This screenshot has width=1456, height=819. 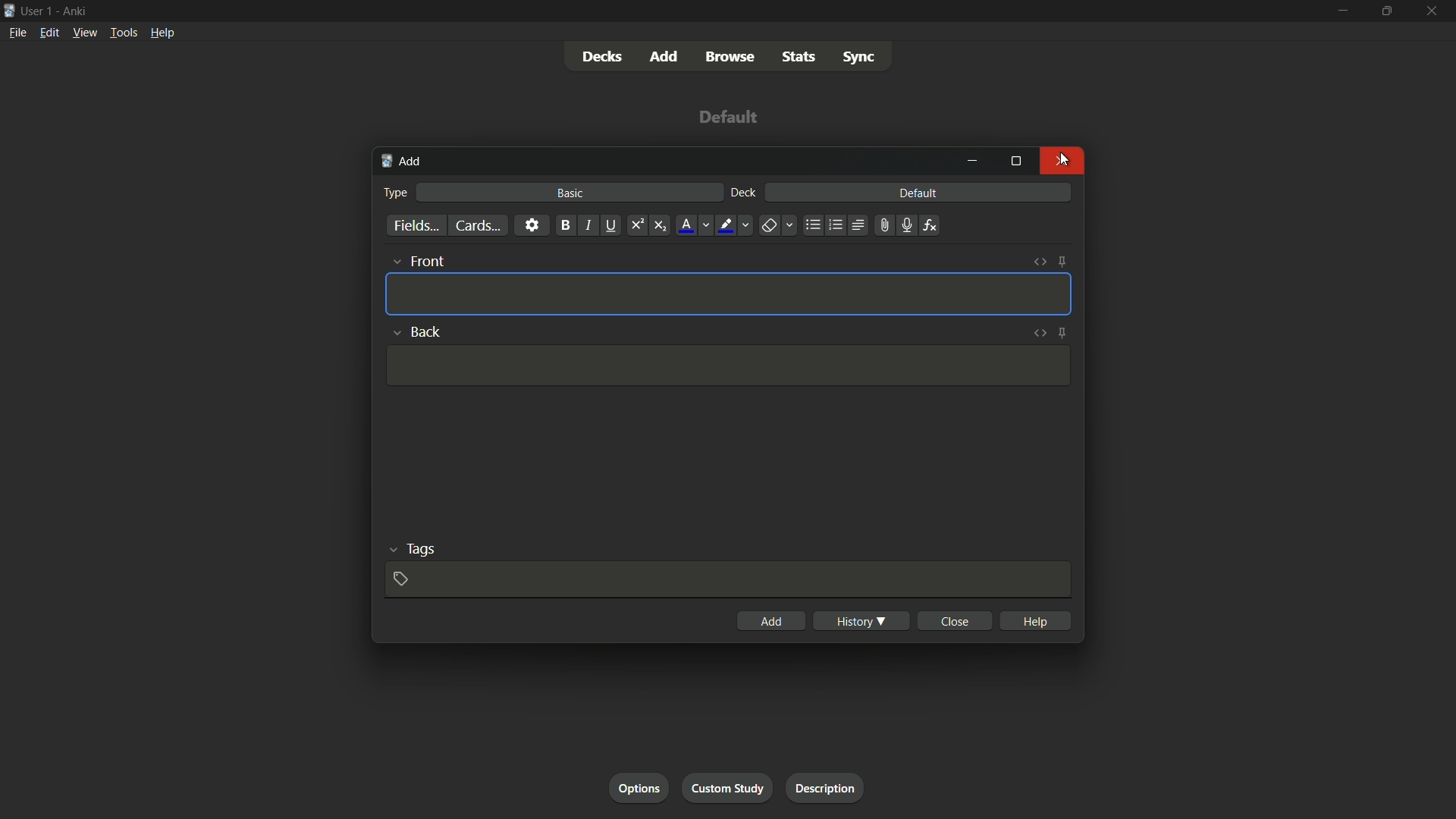 I want to click on user-1, so click(x=37, y=9).